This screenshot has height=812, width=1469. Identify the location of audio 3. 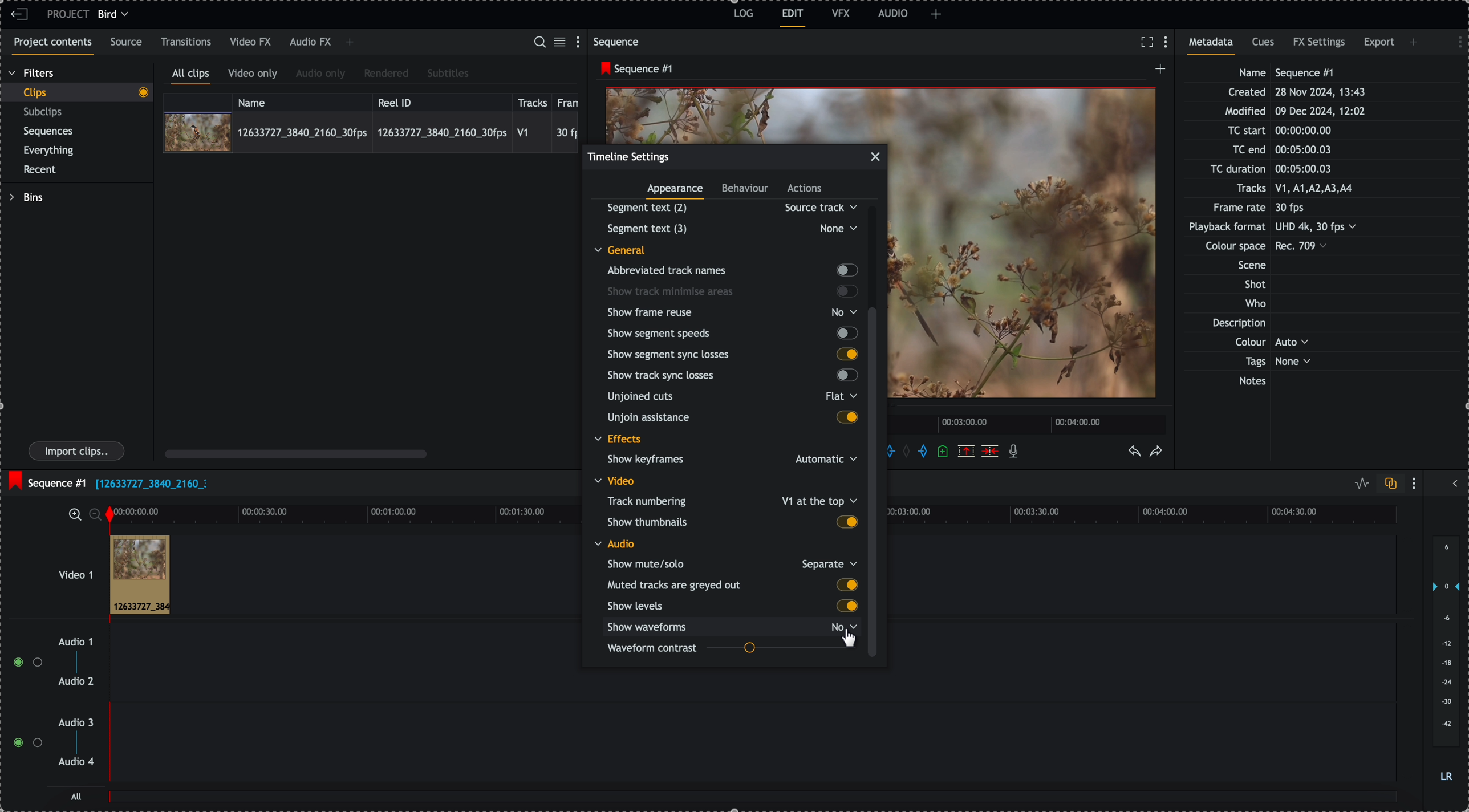
(79, 723).